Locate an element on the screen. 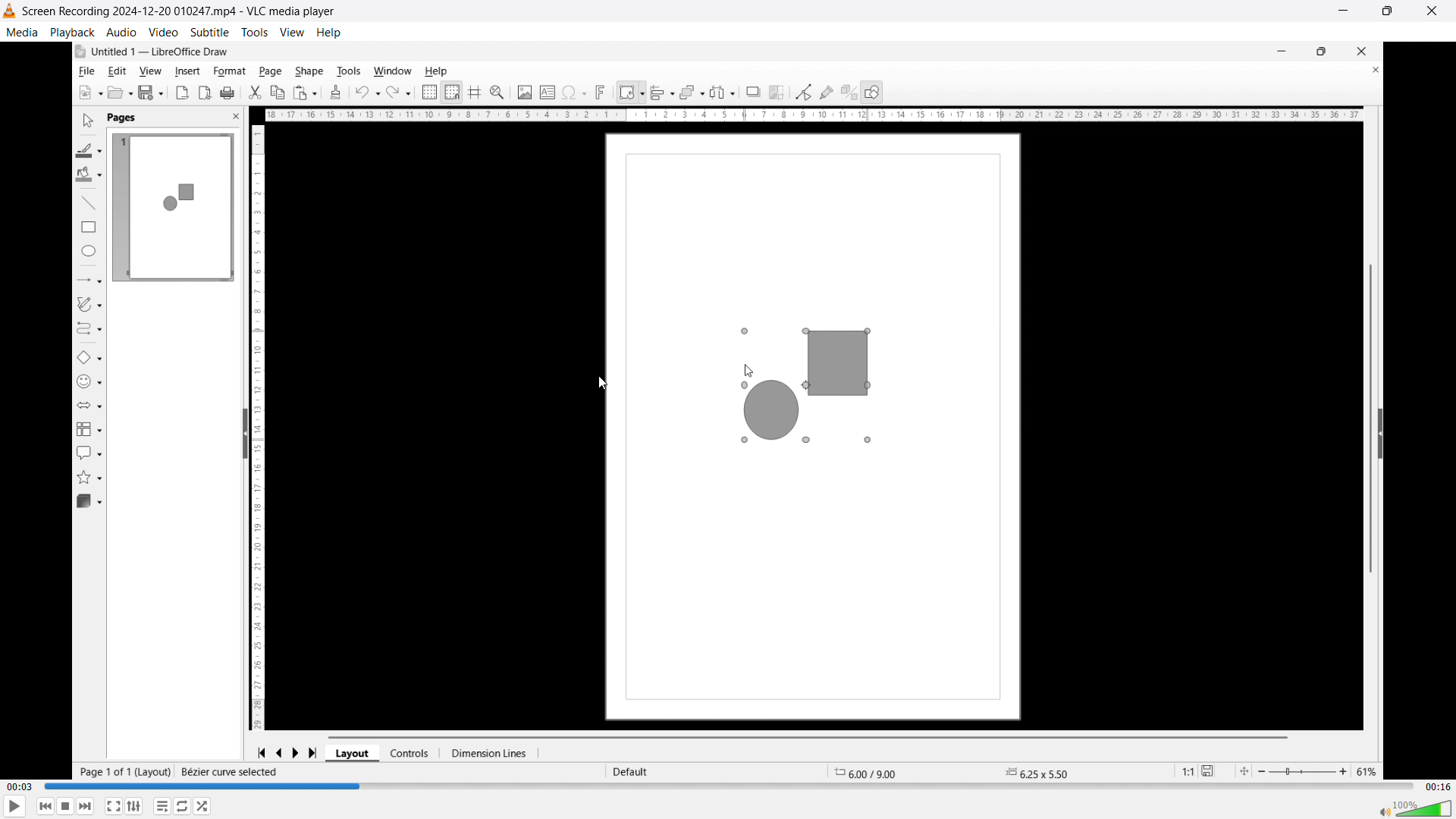 This screenshot has height=819, width=1456. Video duration  is located at coordinates (1436, 786).